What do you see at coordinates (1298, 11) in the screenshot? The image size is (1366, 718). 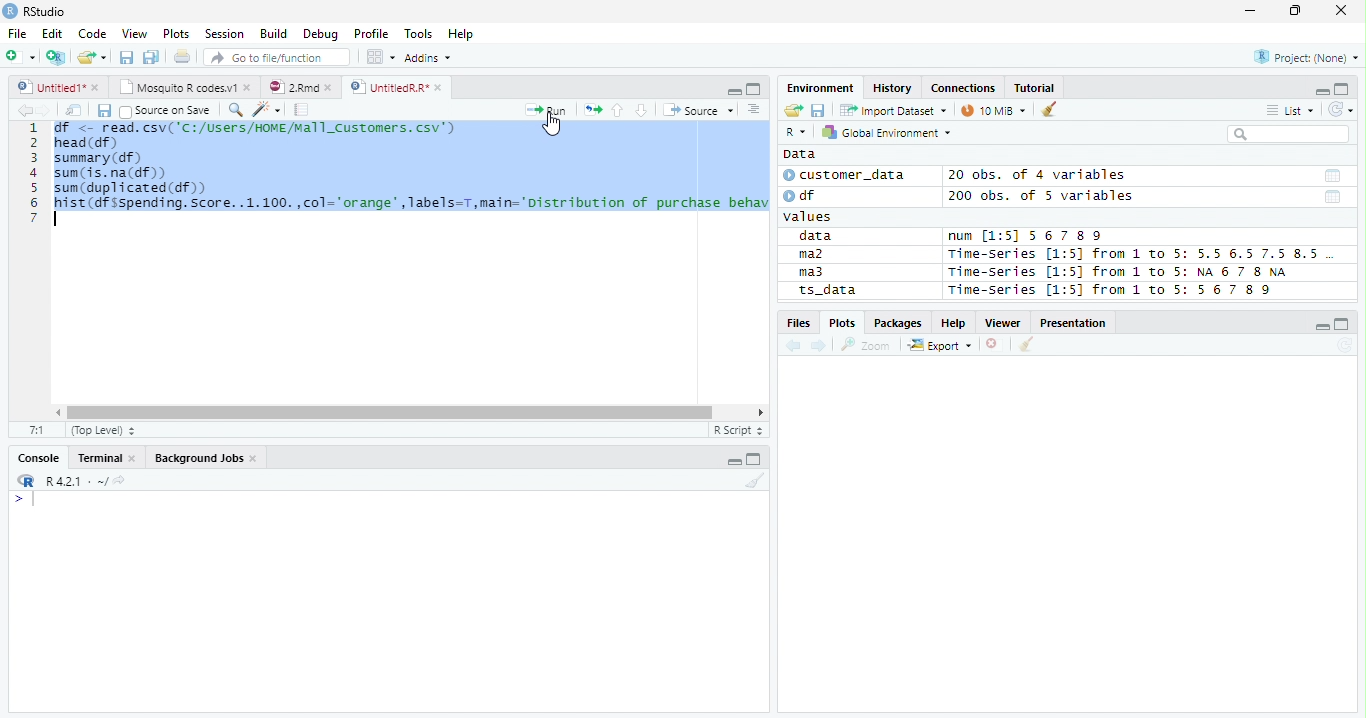 I see `Restore Down` at bounding box center [1298, 11].